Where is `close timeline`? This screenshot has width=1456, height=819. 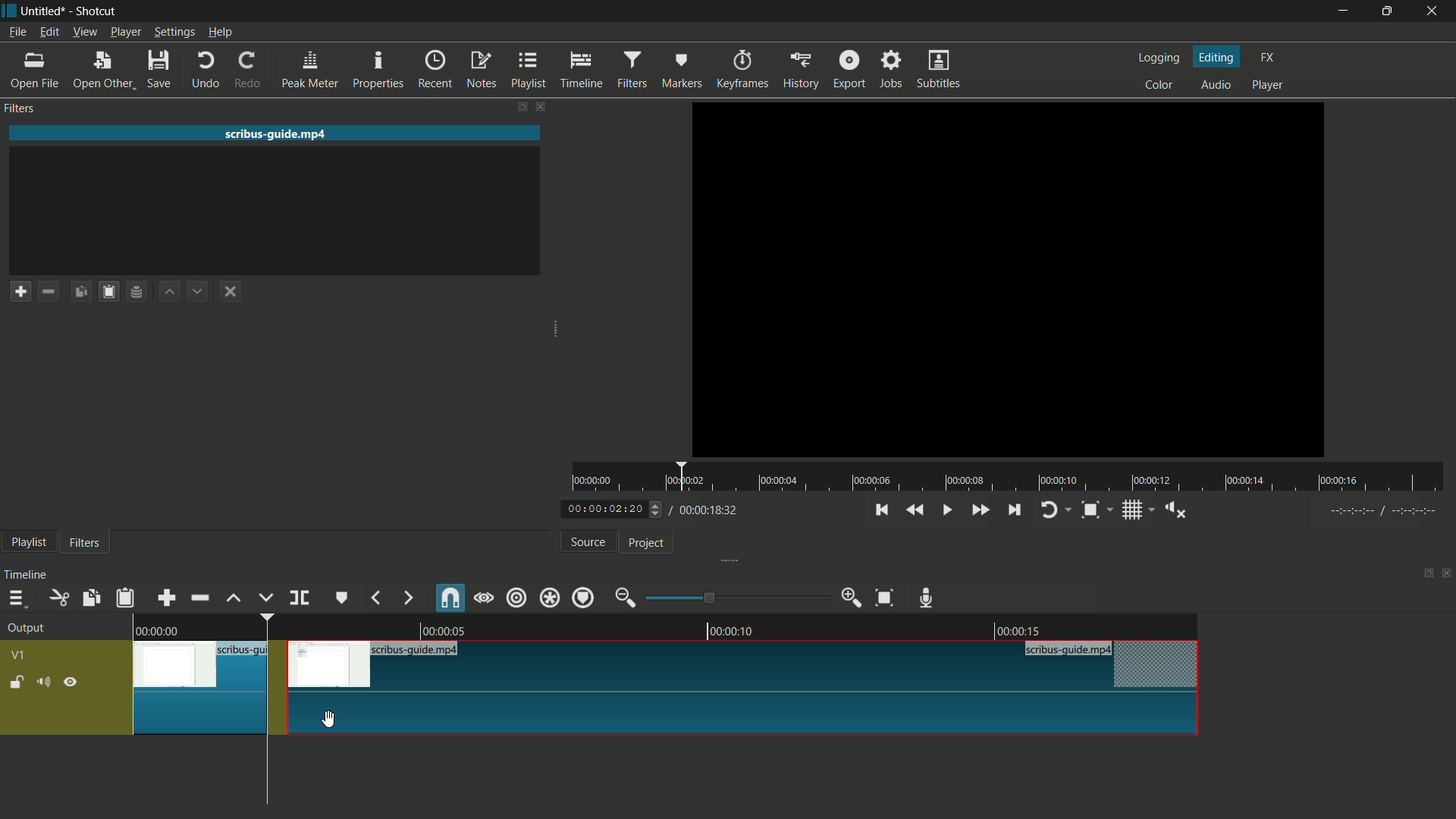
close timeline is located at coordinates (1447, 575).